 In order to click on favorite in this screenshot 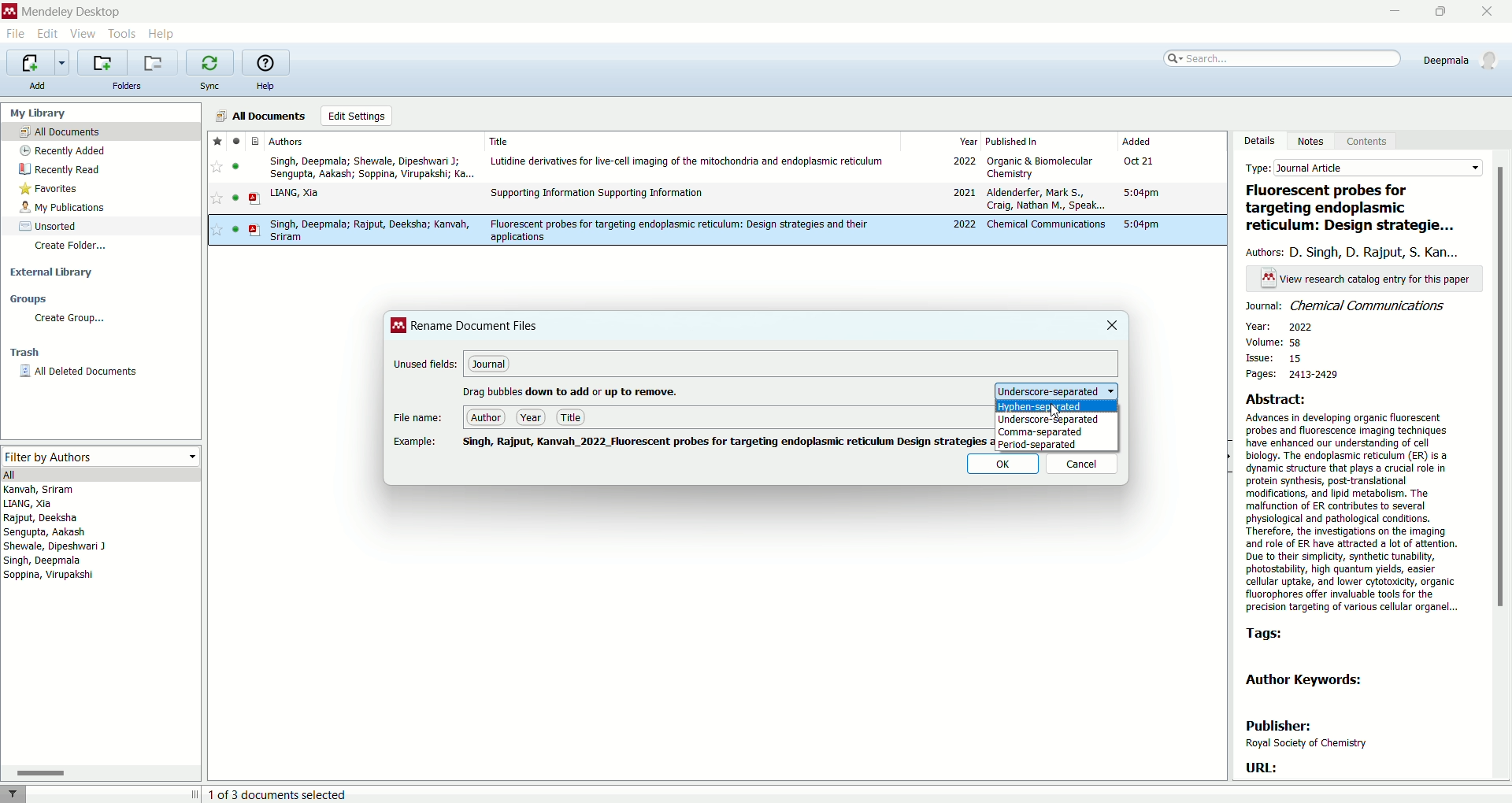, I will do `click(219, 231)`.